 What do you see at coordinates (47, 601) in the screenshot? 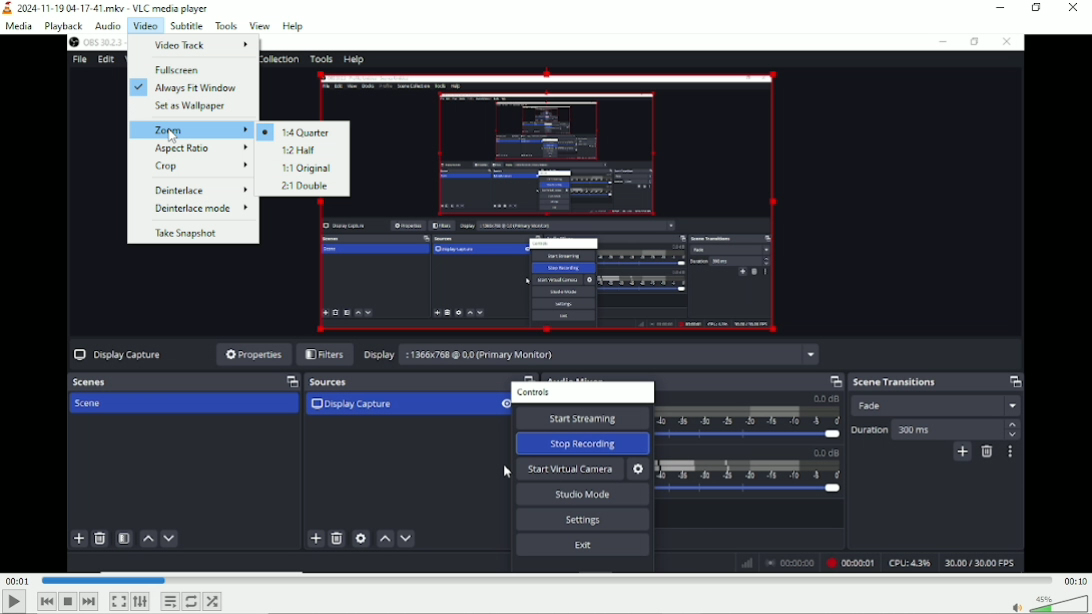
I see `Previous` at bounding box center [47, 601].